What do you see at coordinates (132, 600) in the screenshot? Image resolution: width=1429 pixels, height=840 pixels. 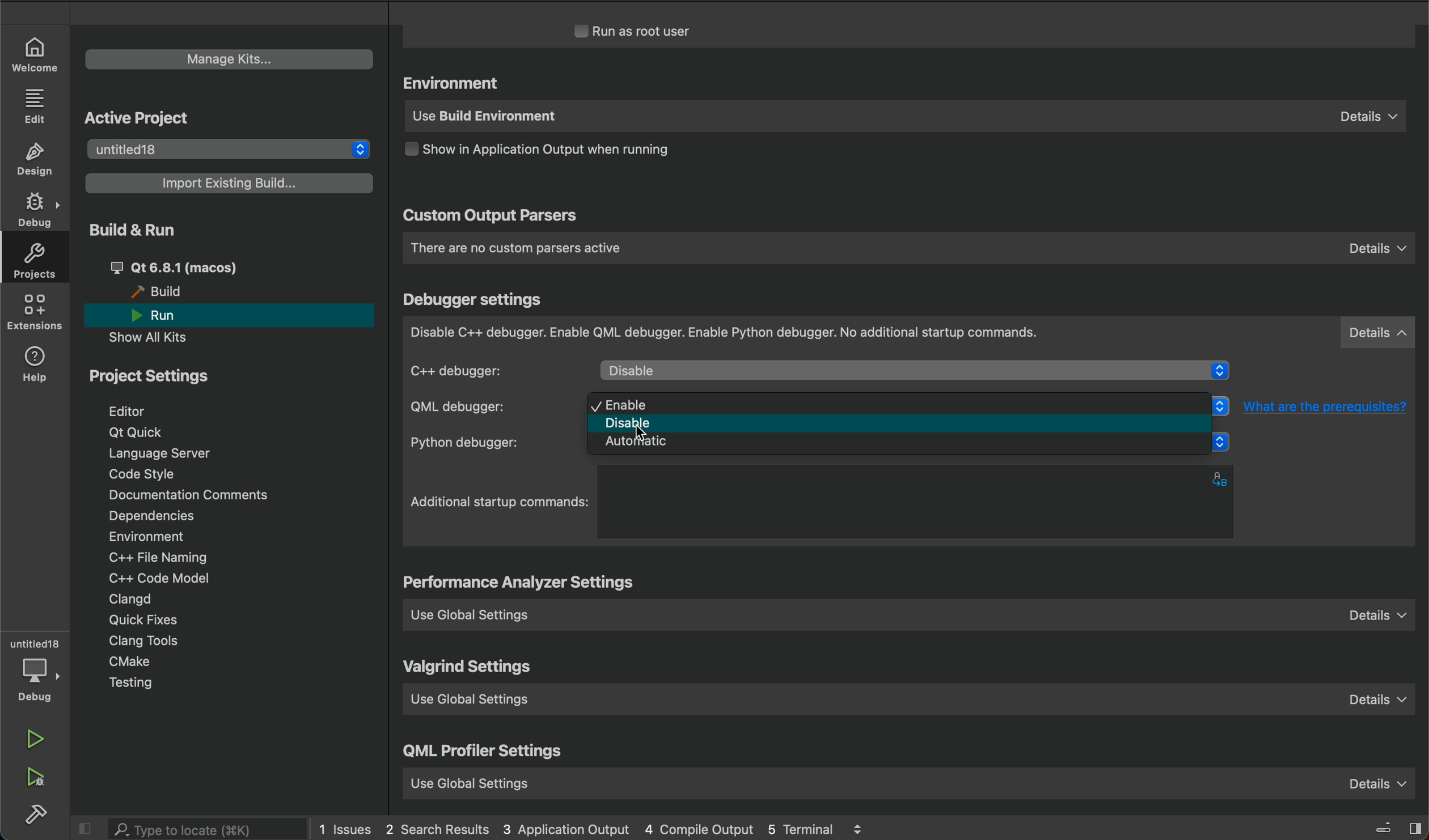 I see `clangd` at bounding box center [132, 600].